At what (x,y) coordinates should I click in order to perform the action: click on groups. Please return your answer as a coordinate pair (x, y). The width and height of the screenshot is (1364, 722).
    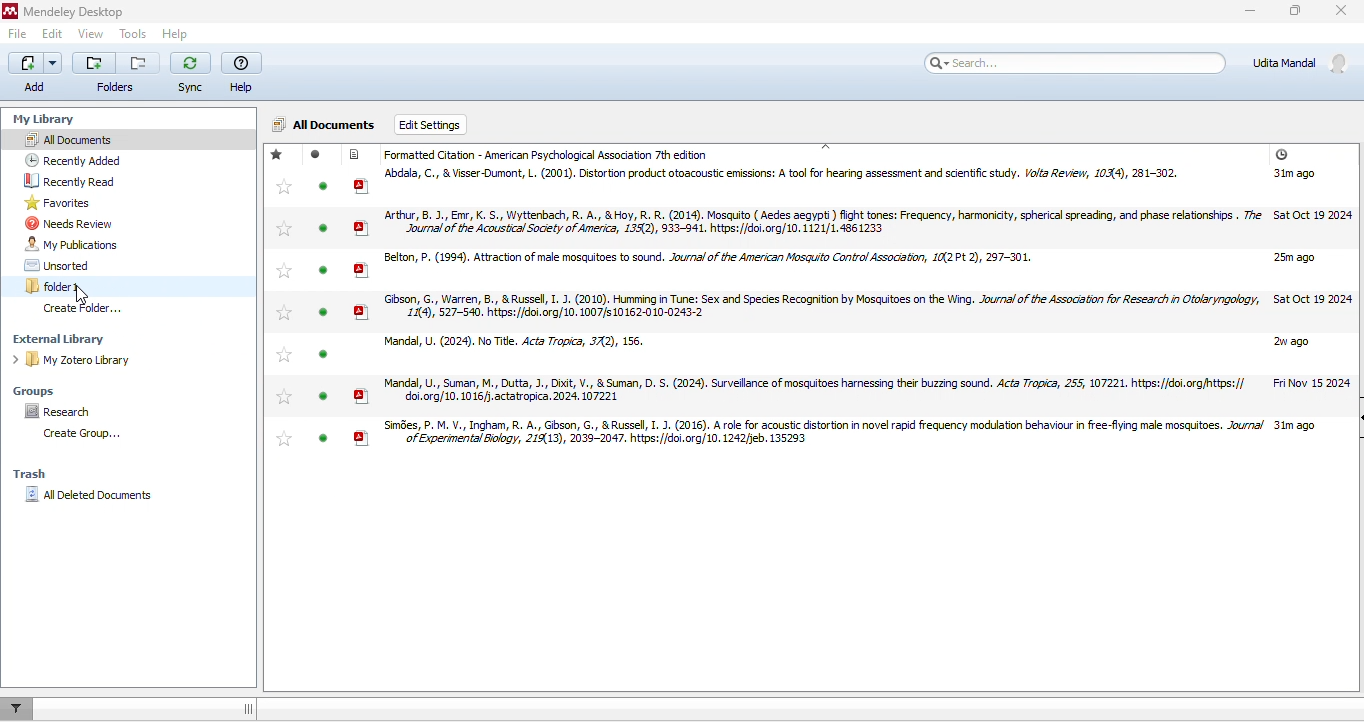
    Looking at the image, I should click on (56, 386).